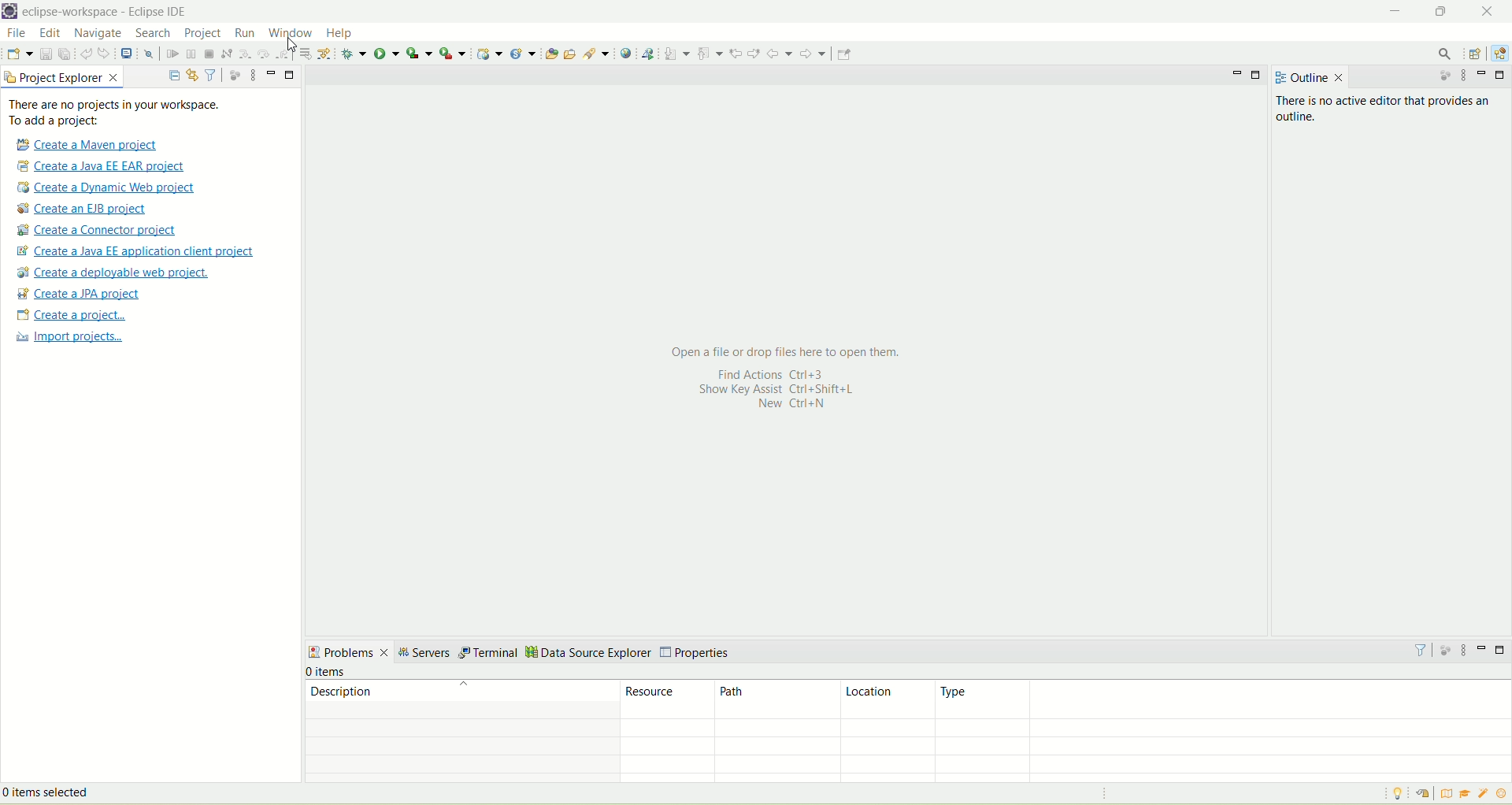  What do you see at coordinates (44, 54) in the screenshot?
I see `save` at bounding box center [44, 54].